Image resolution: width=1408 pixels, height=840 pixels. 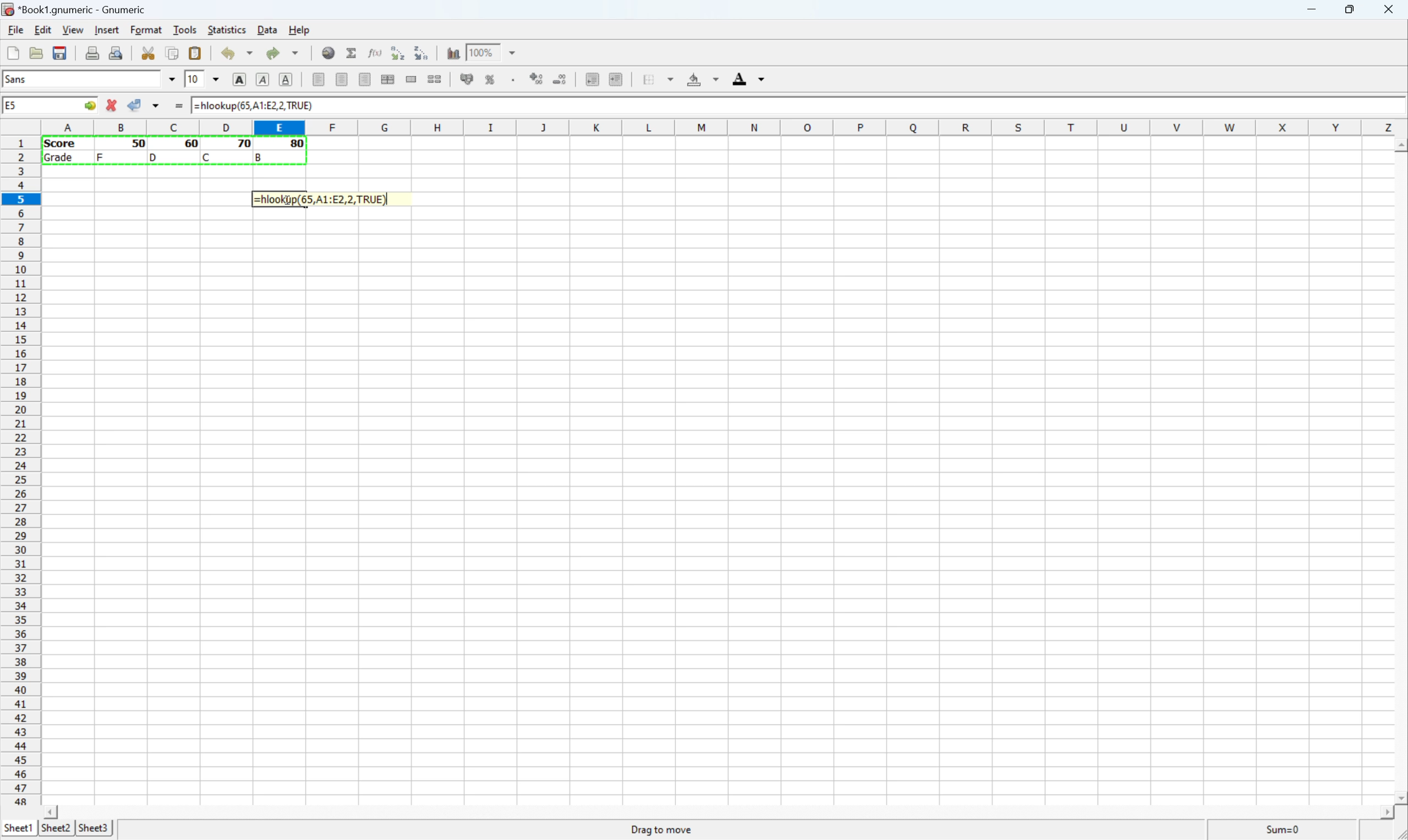 I want to click on Format, so click(x=146, y=28).